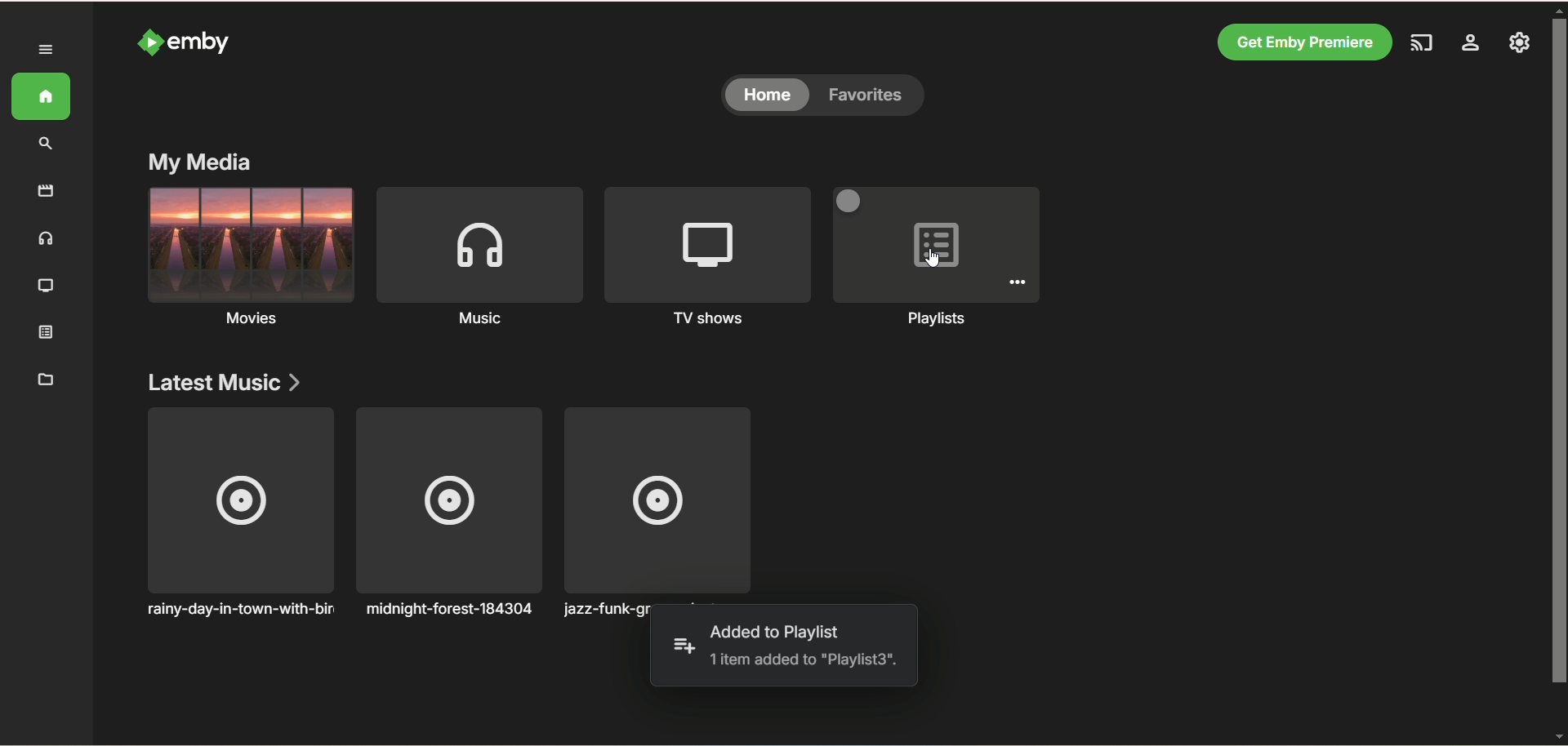  Describe the element at coordinates (706, 254) in the screenshot. I see `TV shows` at that location.